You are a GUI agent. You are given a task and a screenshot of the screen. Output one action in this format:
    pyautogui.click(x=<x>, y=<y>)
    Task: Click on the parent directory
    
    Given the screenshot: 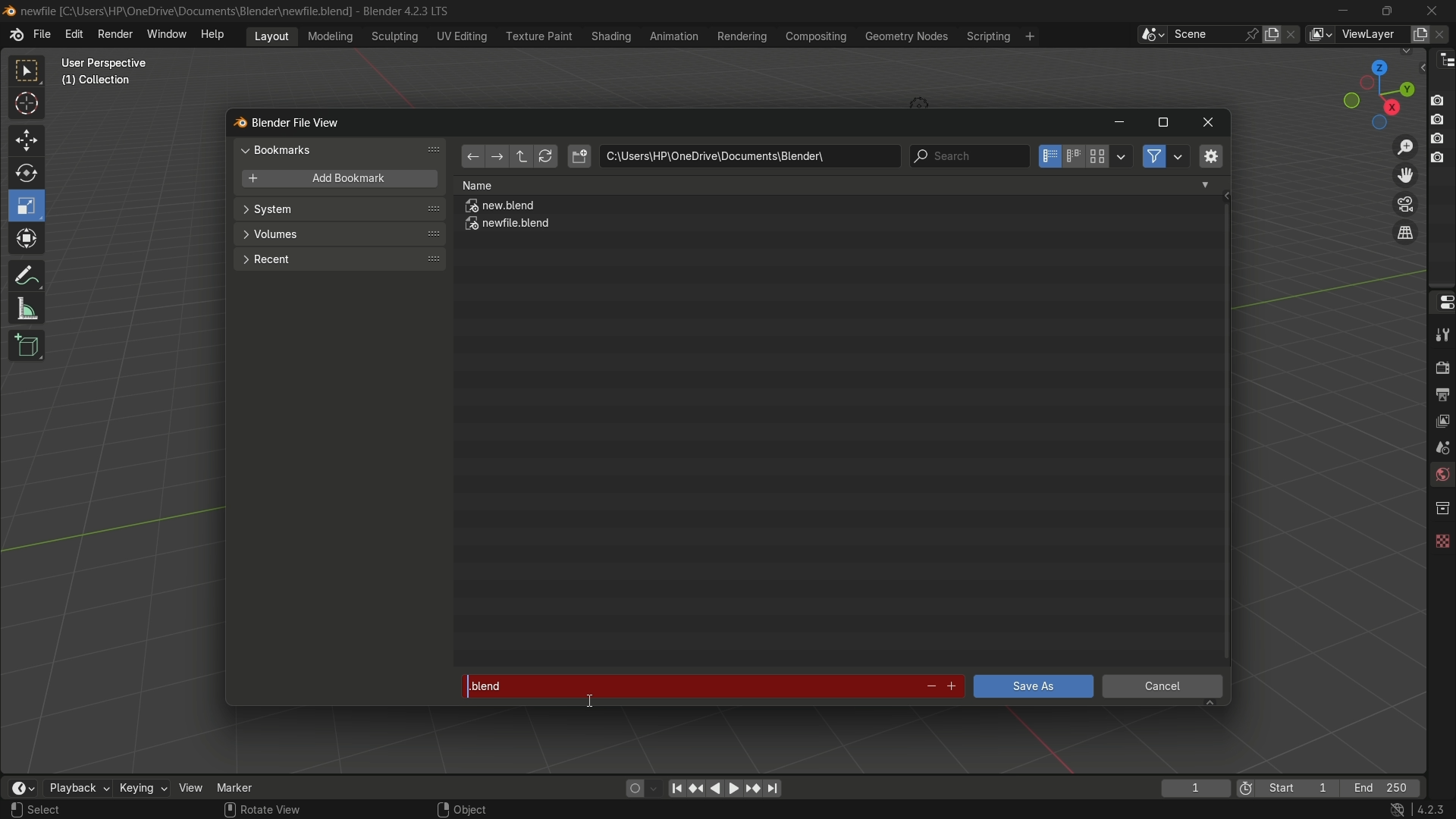 What is the action you would take?
    pyautogui.click(x=523, y=156)
    